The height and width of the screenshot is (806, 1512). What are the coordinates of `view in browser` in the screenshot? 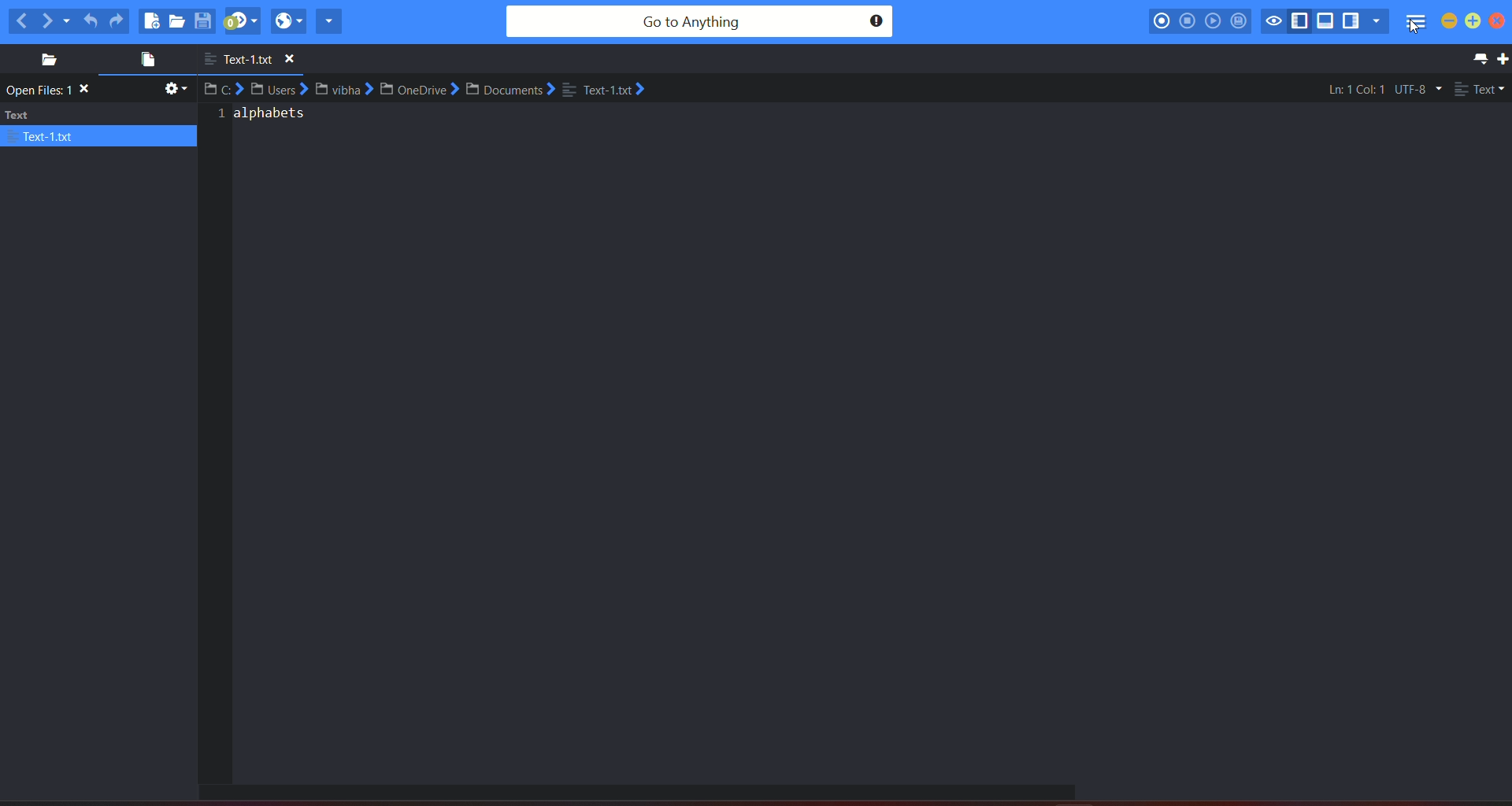 It's located at (288, 20).